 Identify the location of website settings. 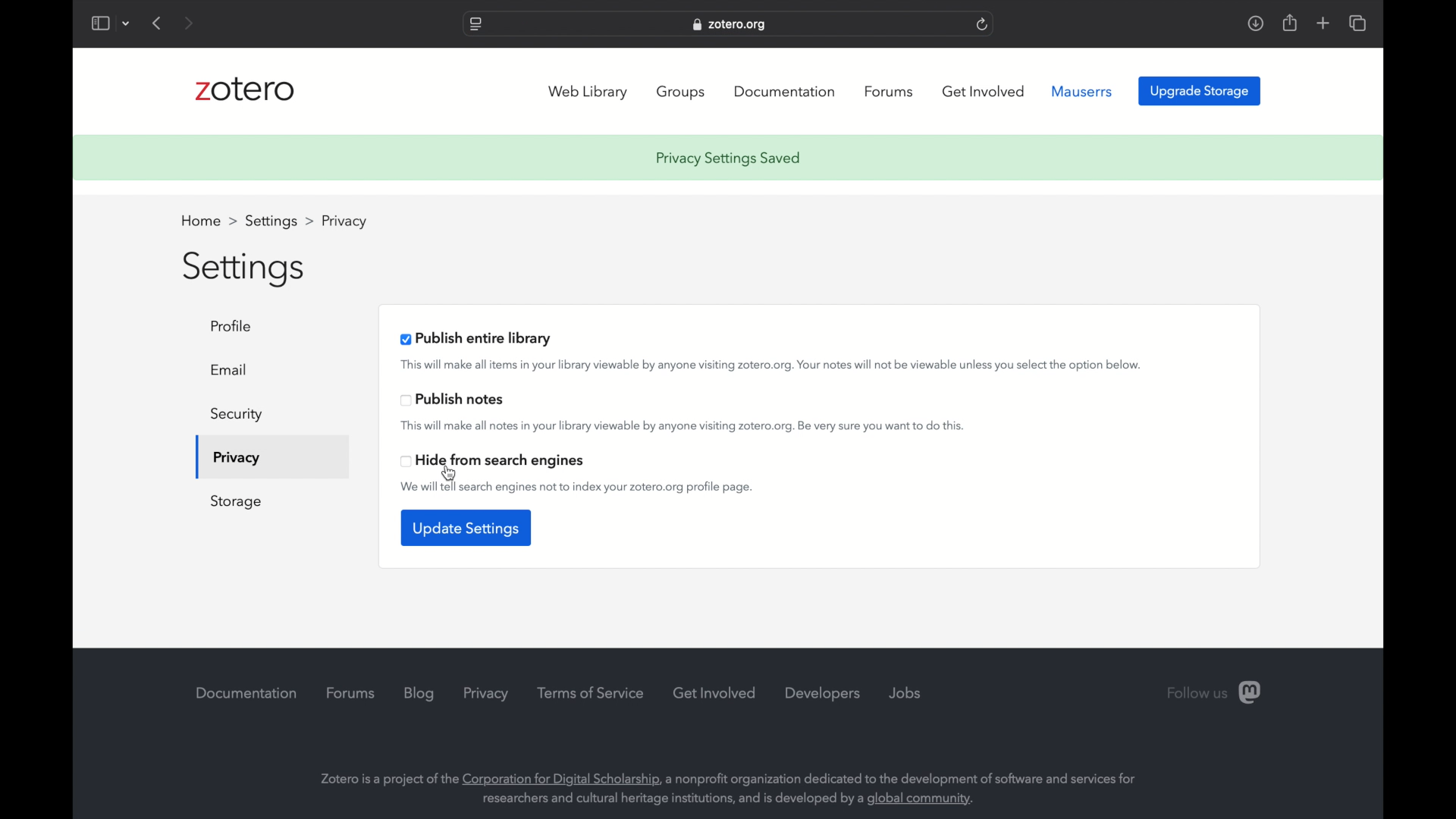
(476, 25).